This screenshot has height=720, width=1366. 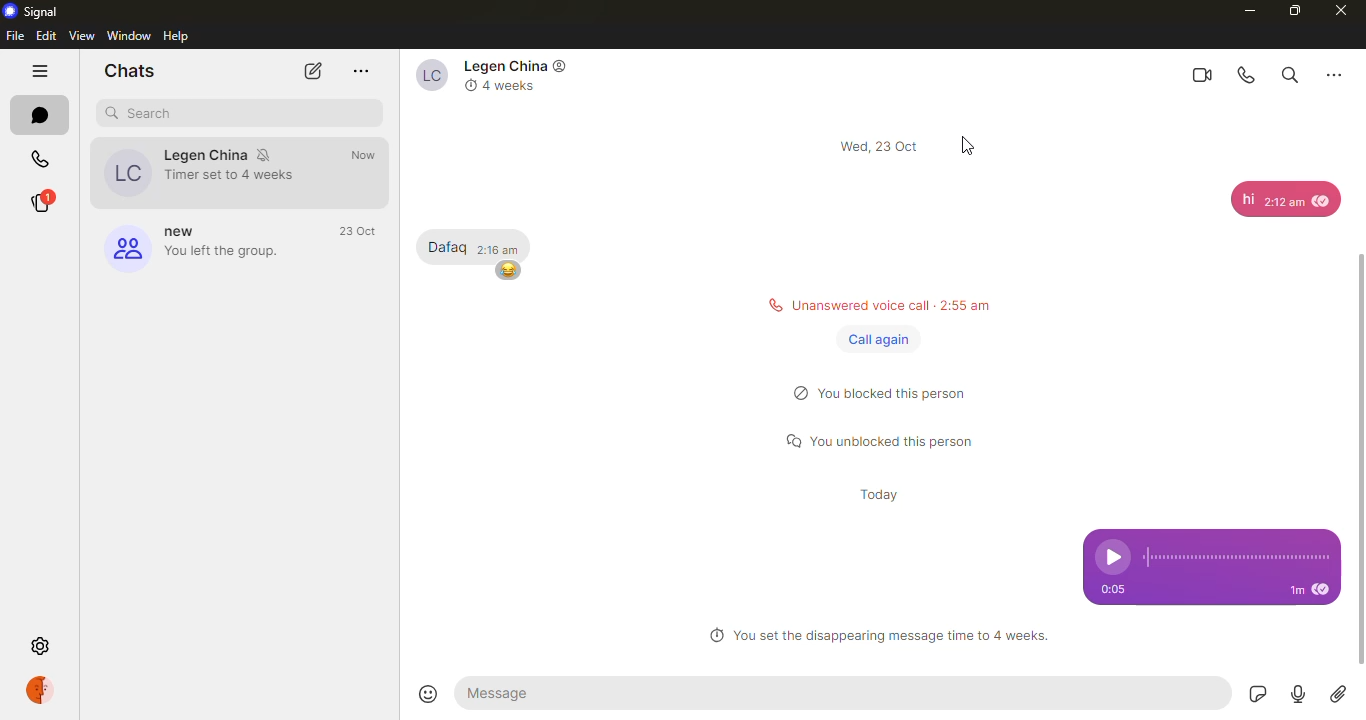 I want to click on file, so click(x=15, y=36).